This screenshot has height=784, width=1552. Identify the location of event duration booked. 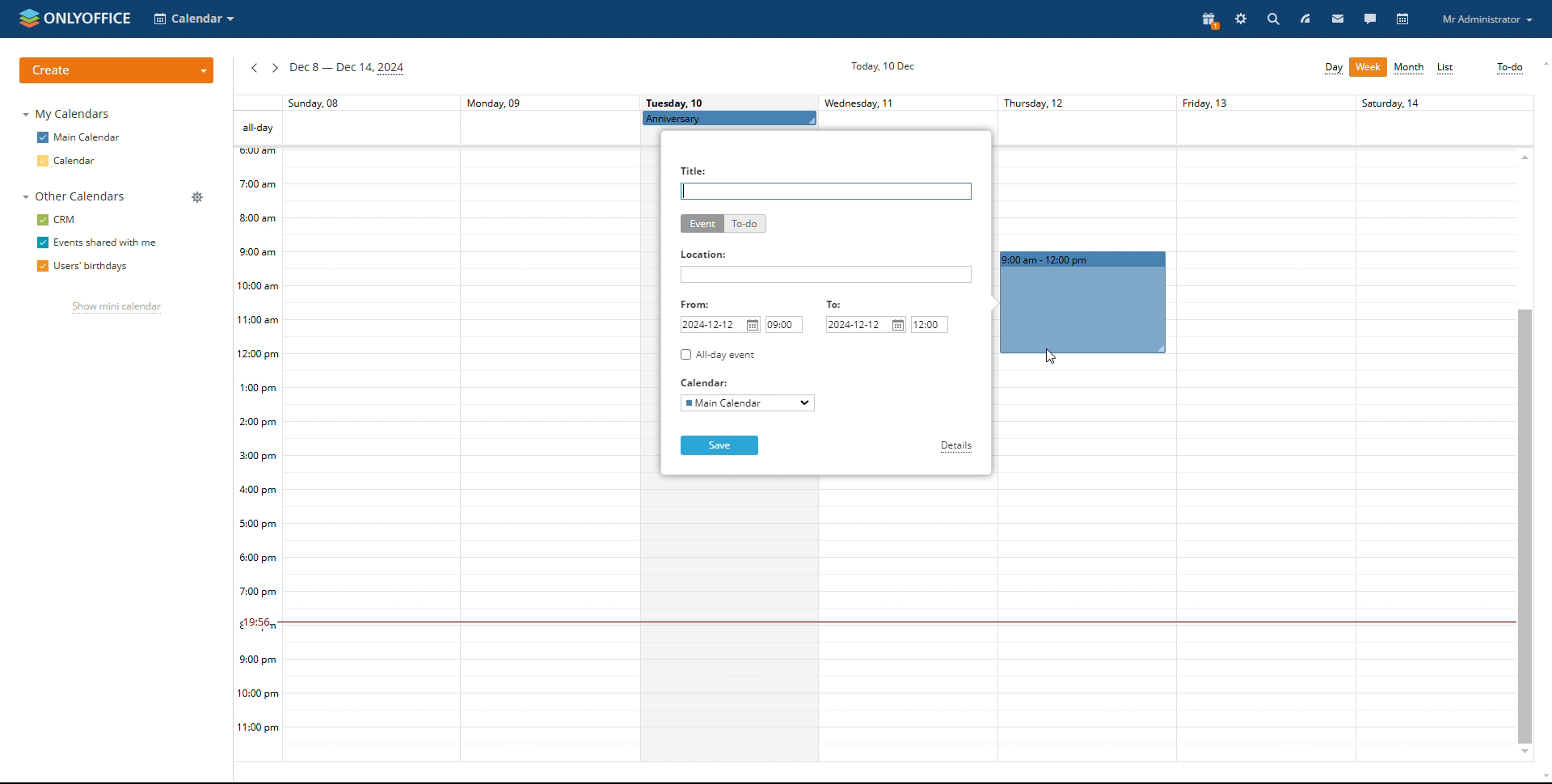
(1084, 302).